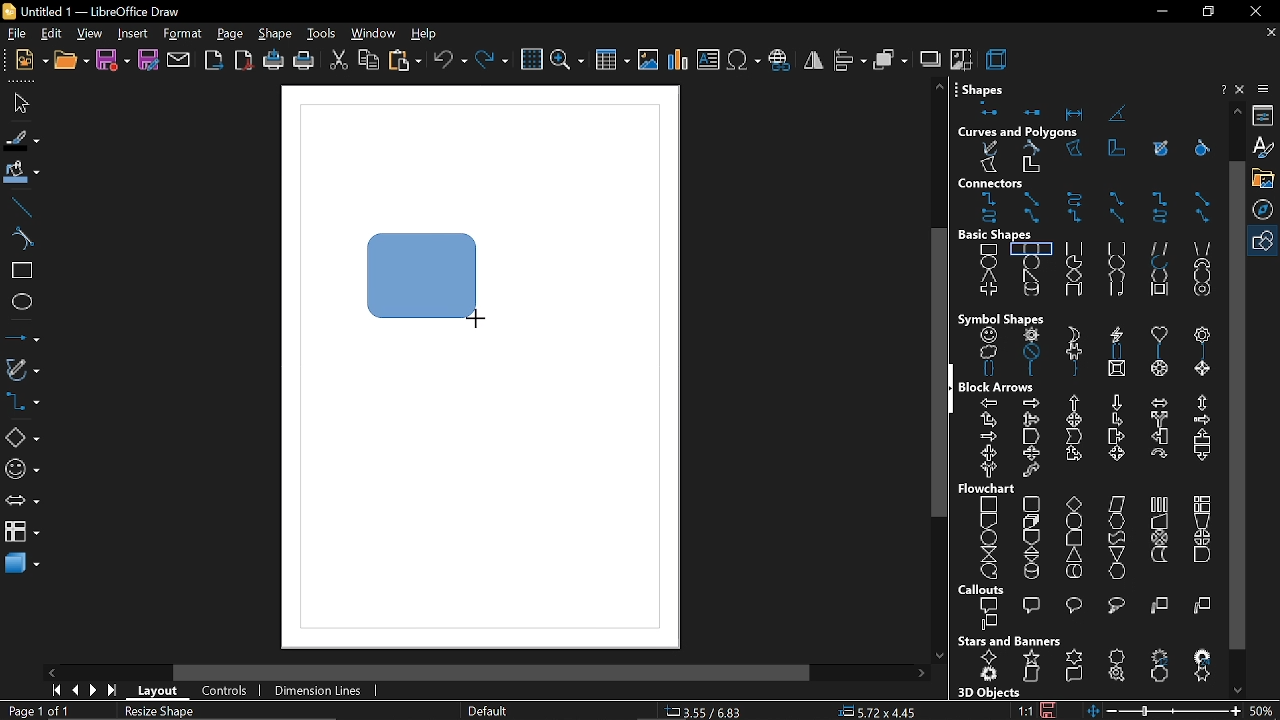  What do you see at coordinates (780, 61) in the screenshot?
I see `insert hyperlink` at bounding box center [780, 61].